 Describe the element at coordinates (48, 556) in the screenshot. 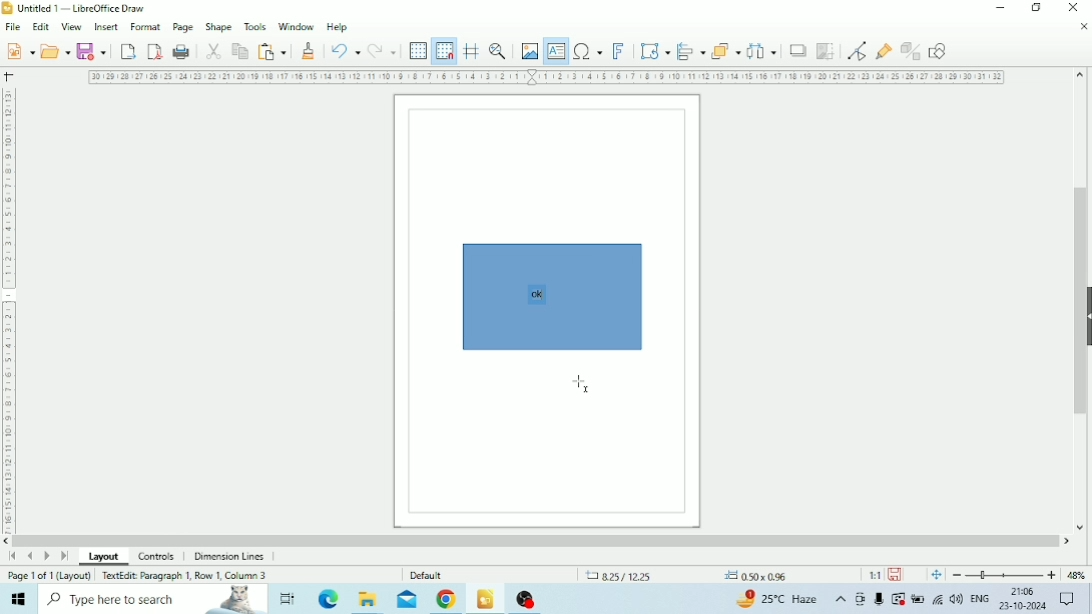

I see `Scroll to next page` at that location.